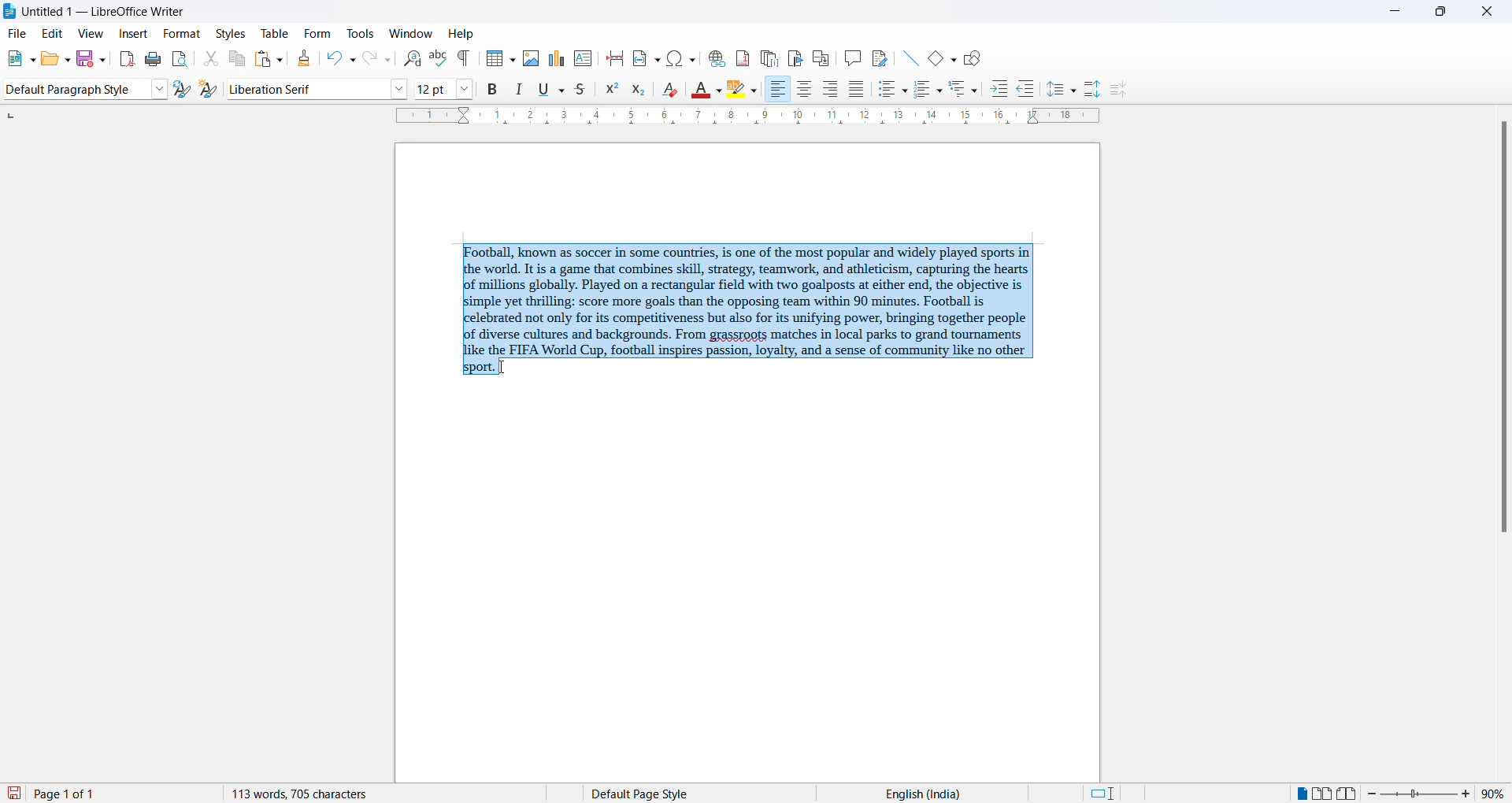 Image resolution: width=1512 pixels, height=803 pixels. Describe the element at coordinates (1496, 331) in the screenshot. I see `scrollbar` at that location.